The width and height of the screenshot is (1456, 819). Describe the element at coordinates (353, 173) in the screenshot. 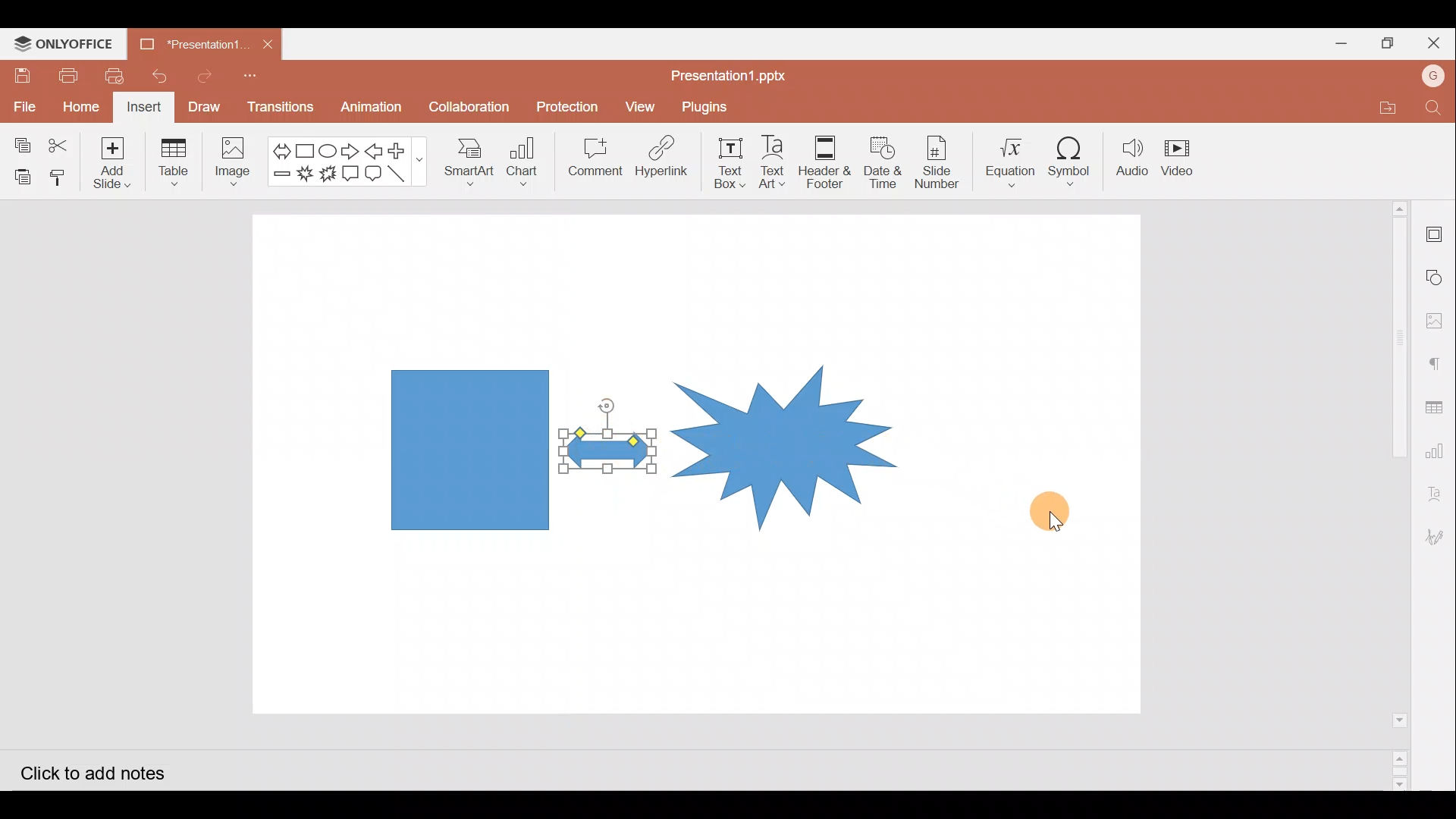

I see `Rectangular callout` at that location.